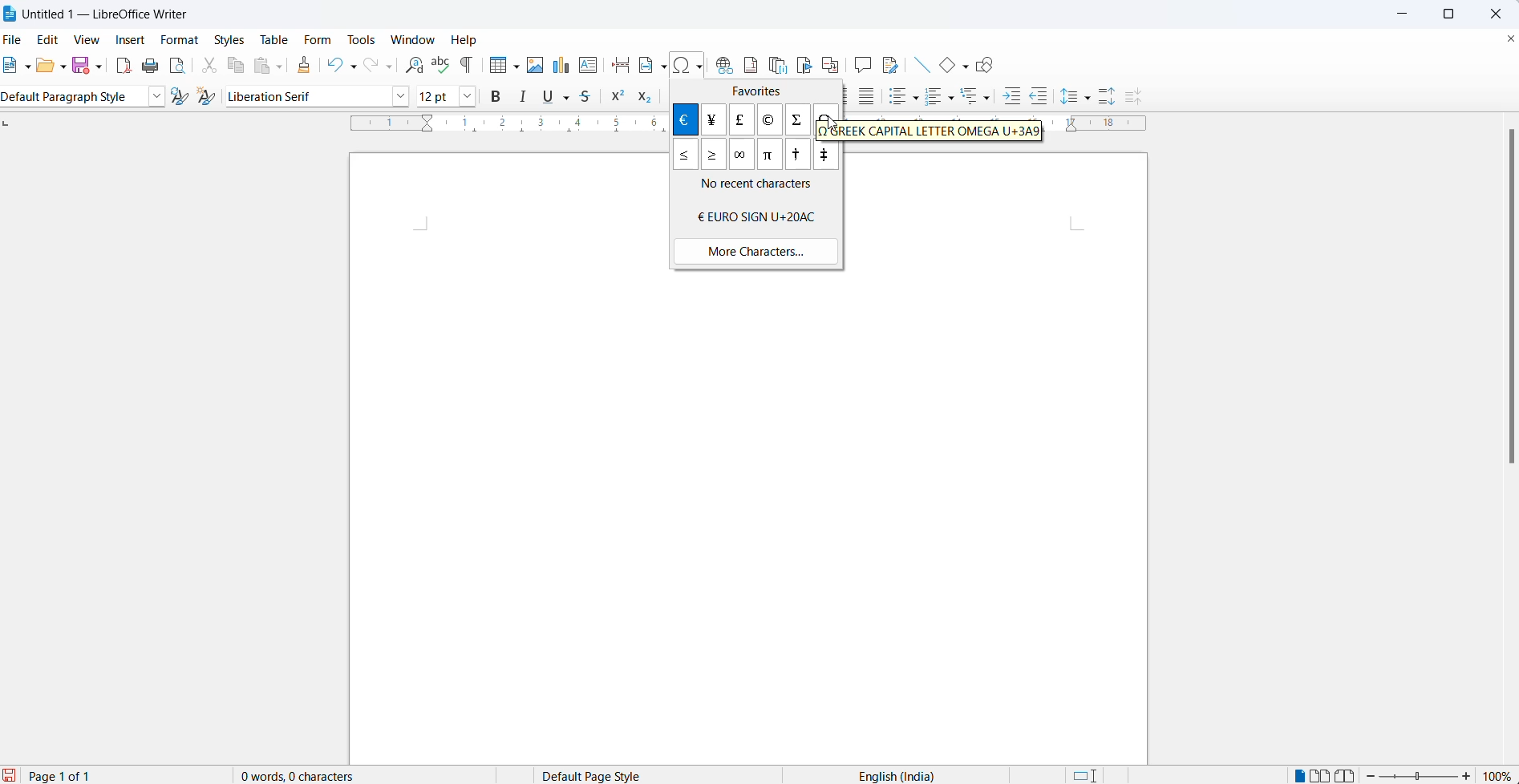  What do you see at coordinates (740, 119) in the screenshot?
I see `pound` at bounding box center [740, 119].